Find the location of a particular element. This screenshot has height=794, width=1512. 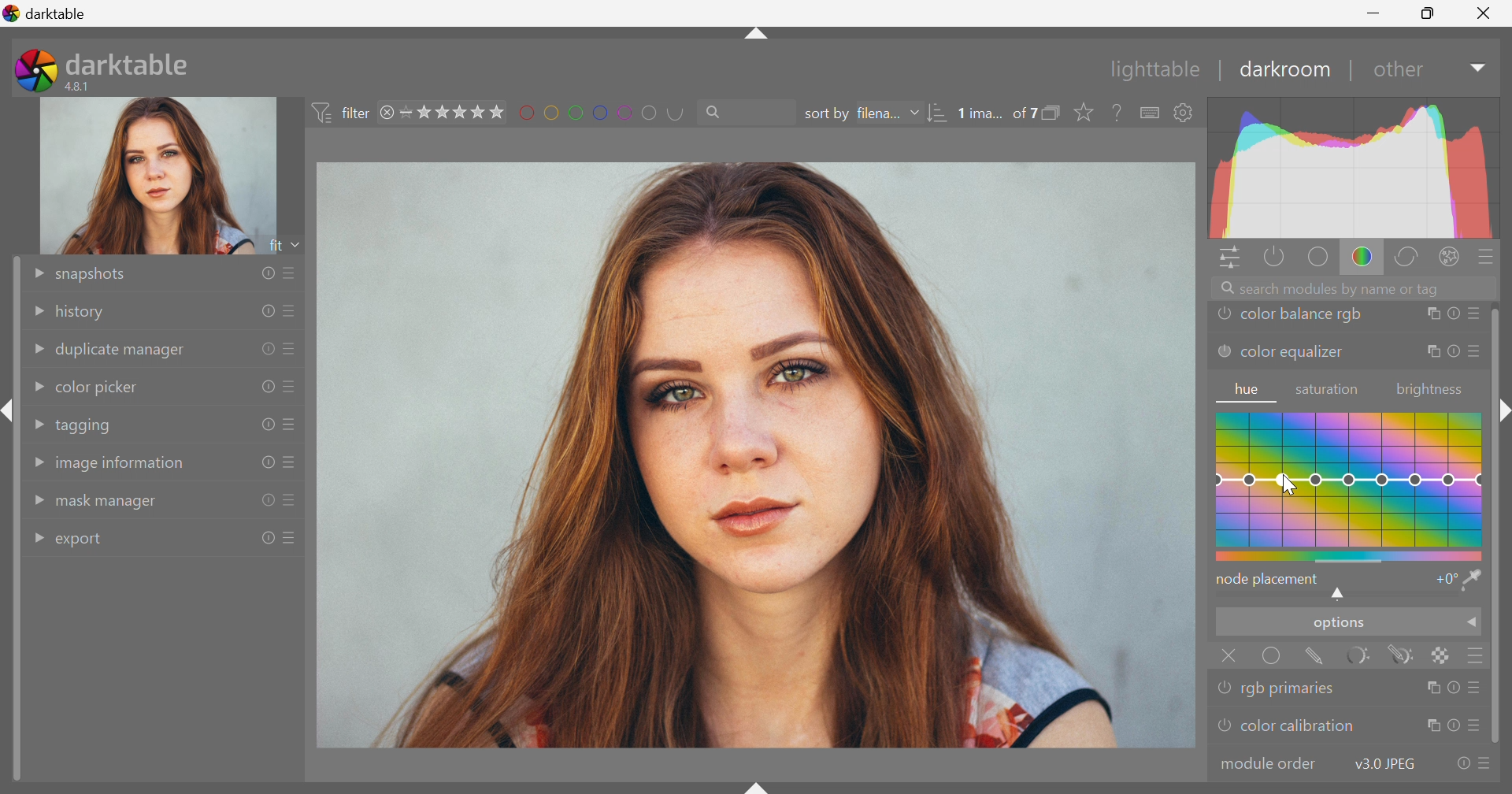

Restore Down is located at coordinates (1430, 15).